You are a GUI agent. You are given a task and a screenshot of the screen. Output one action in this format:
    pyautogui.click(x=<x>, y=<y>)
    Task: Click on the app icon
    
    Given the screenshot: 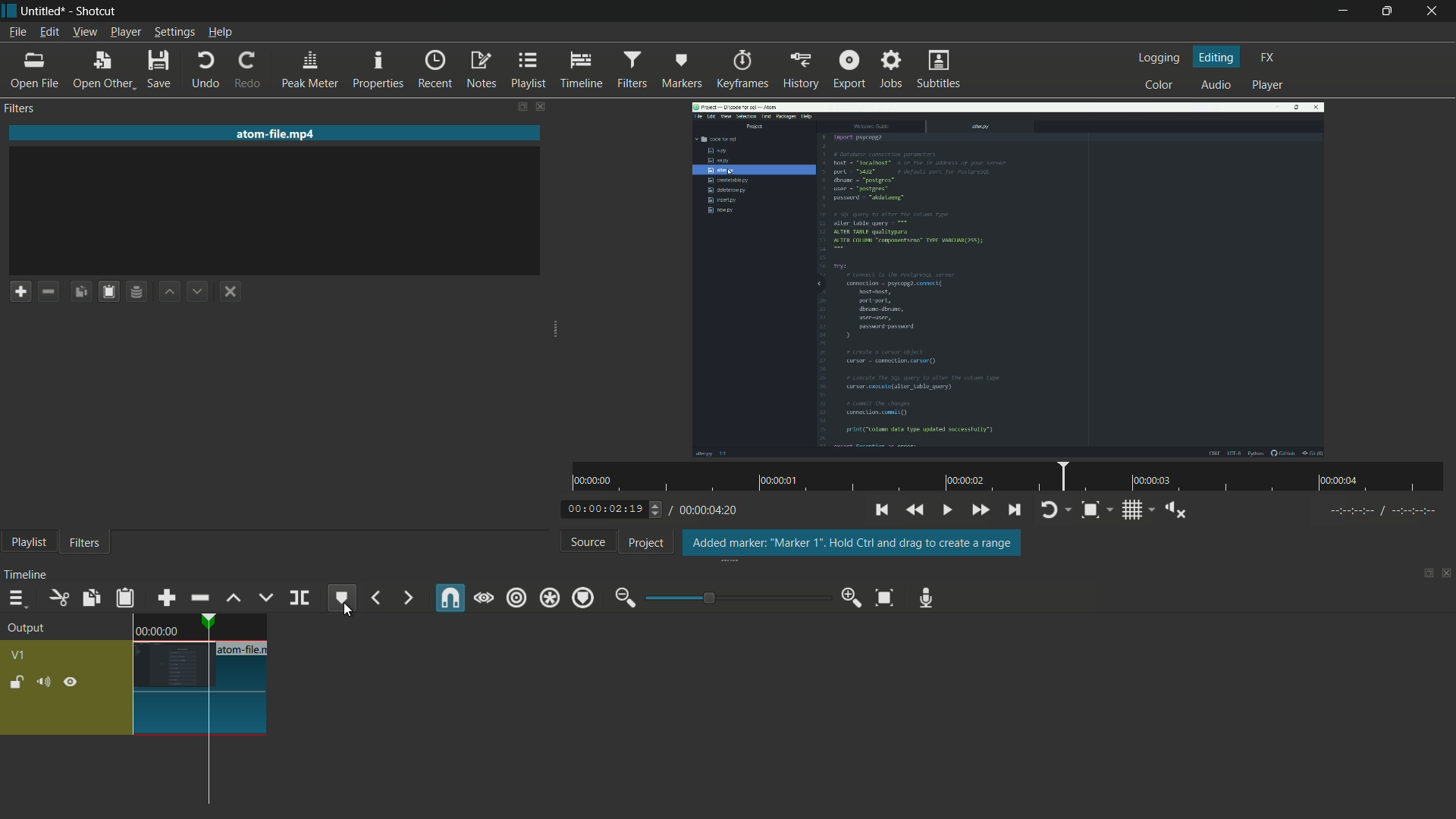 What is the action you would take?
    pyautogui.click(x=9, y=9)
    